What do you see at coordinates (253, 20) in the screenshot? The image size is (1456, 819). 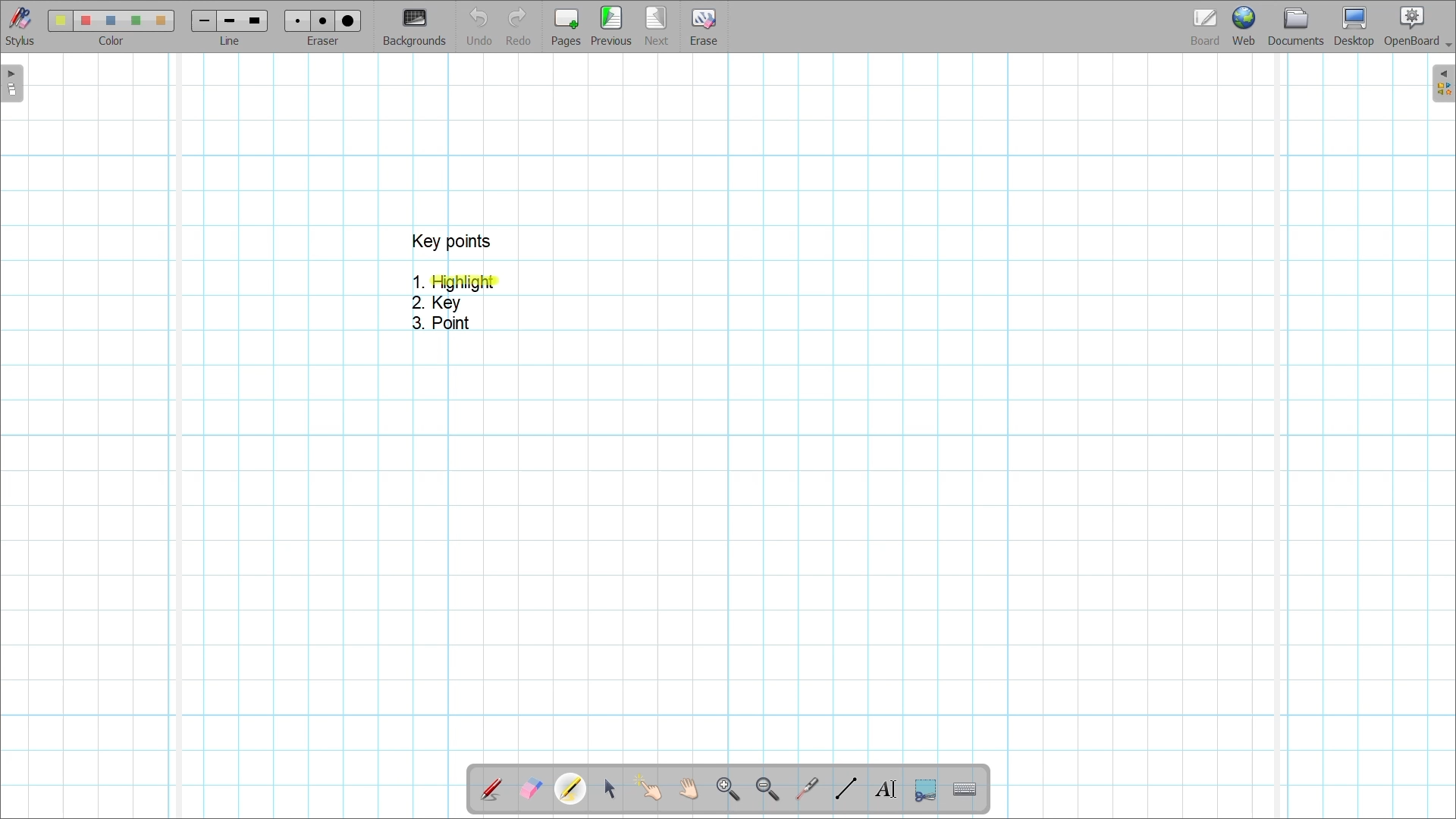 I see `line 3` at bounding box center [253, 20].